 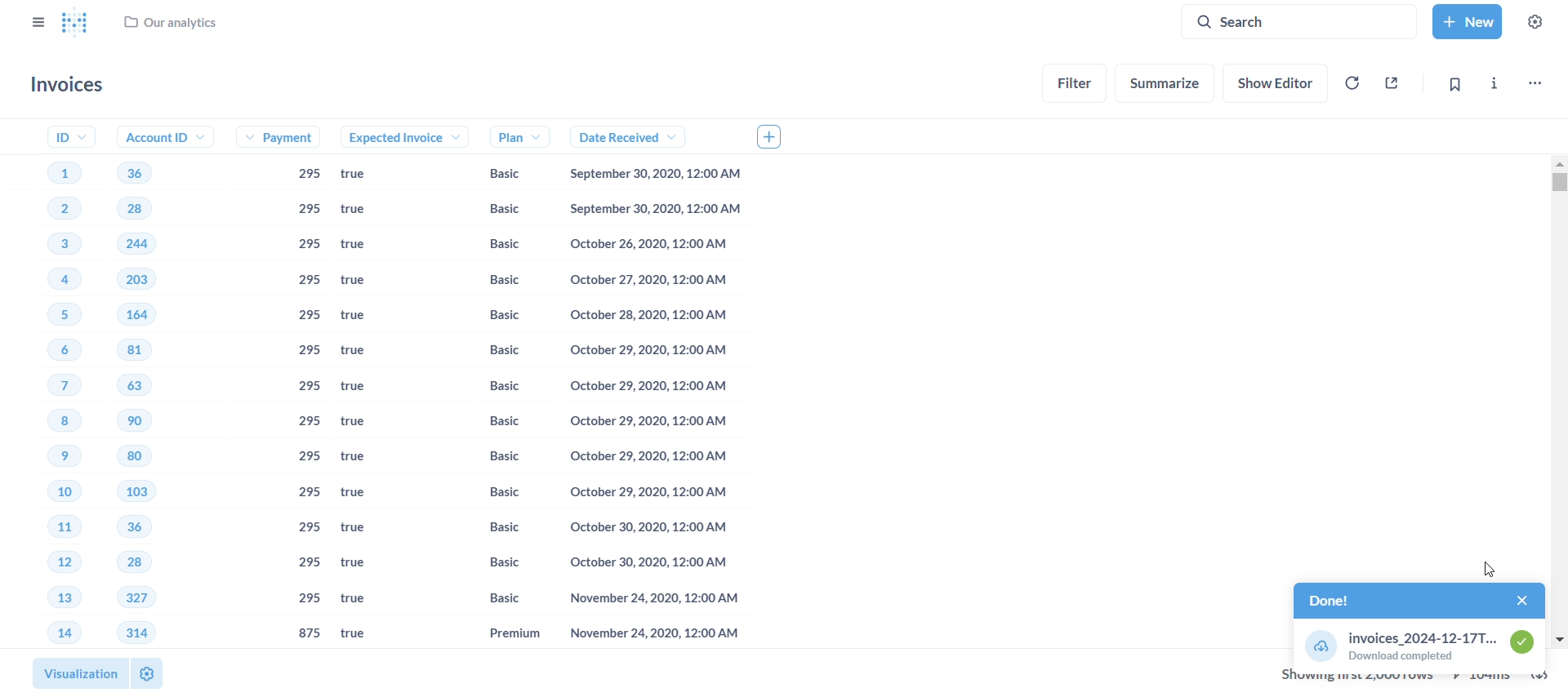 What do you see at coordinates (146, 673) in the screenshot?
I see `settings` at bounding box center [146, 673].